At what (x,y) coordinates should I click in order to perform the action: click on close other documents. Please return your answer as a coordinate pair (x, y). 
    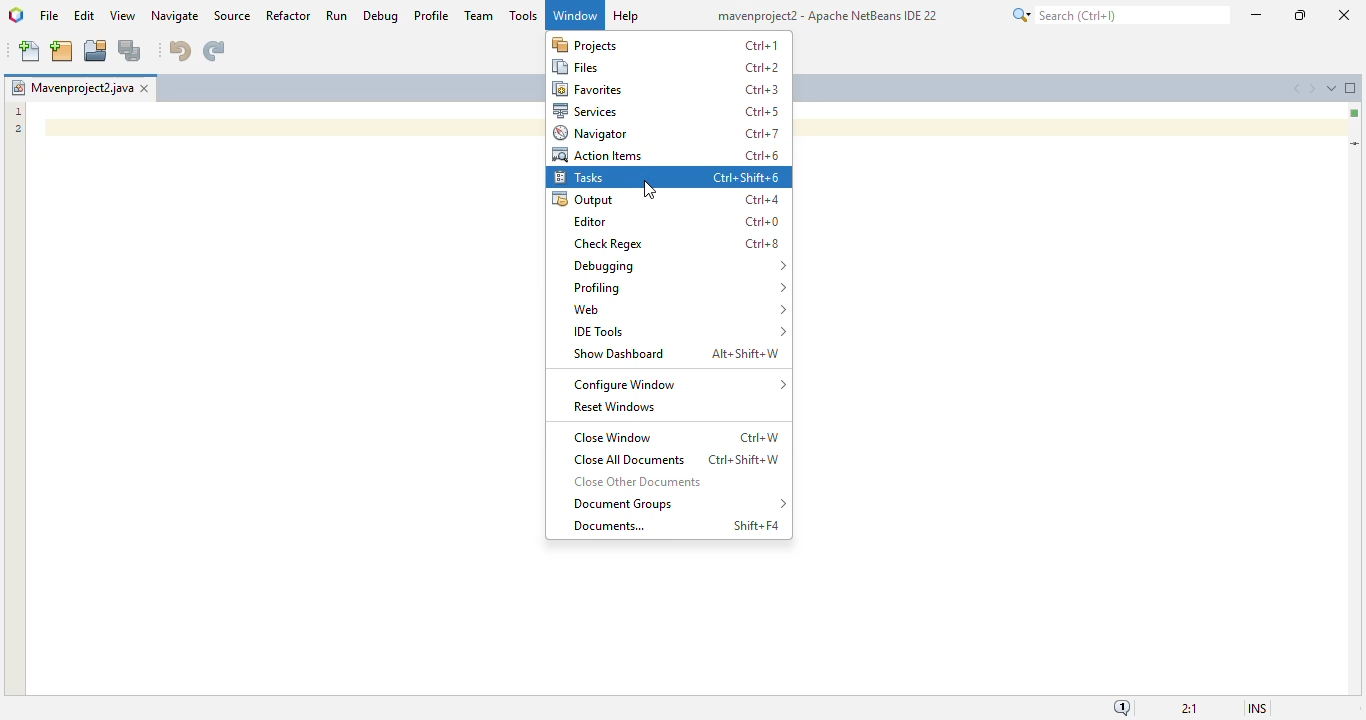
    Looking at the image, I should click on (639, 481).